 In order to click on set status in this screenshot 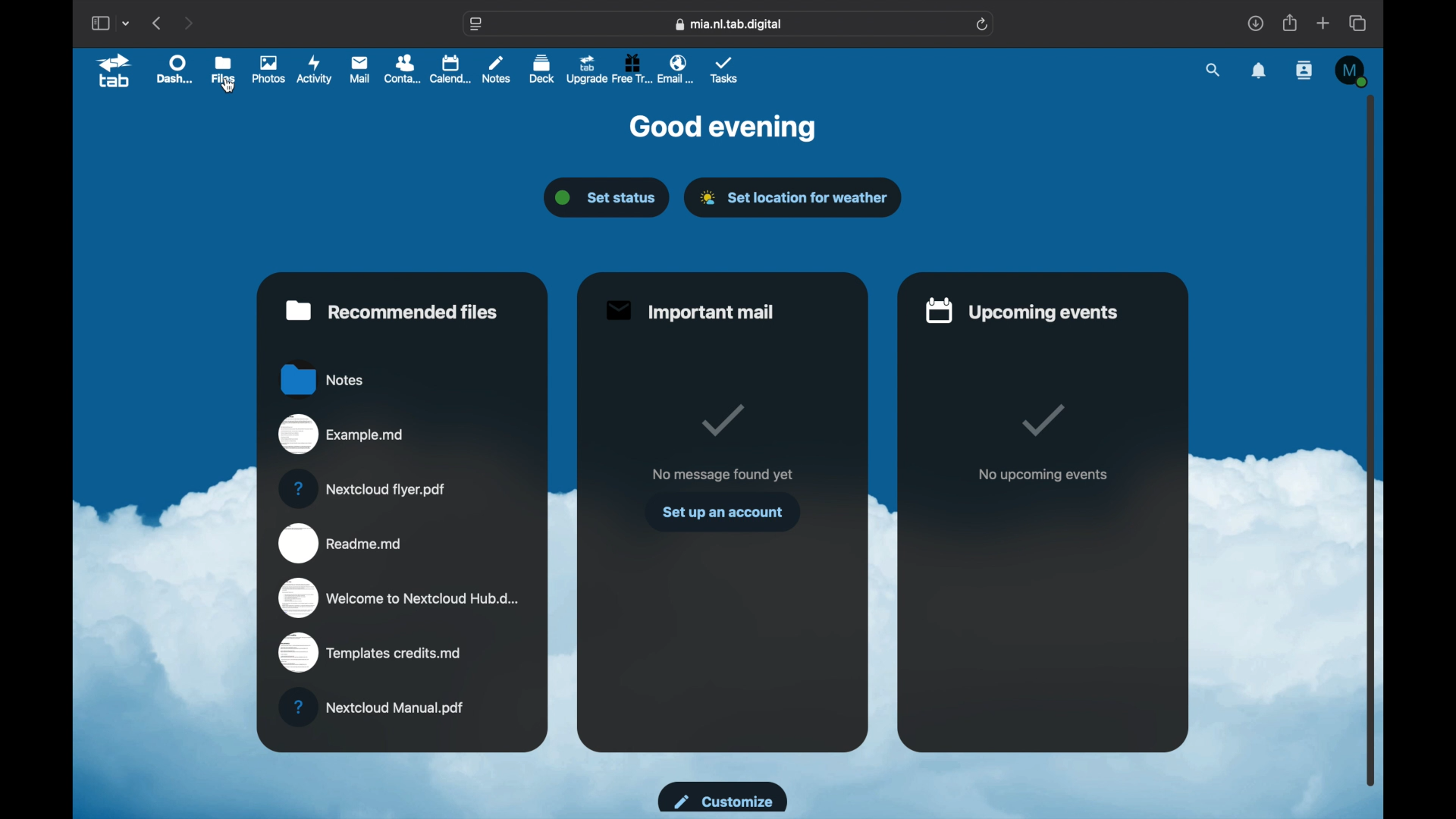, I will do `click(605, 198)`.